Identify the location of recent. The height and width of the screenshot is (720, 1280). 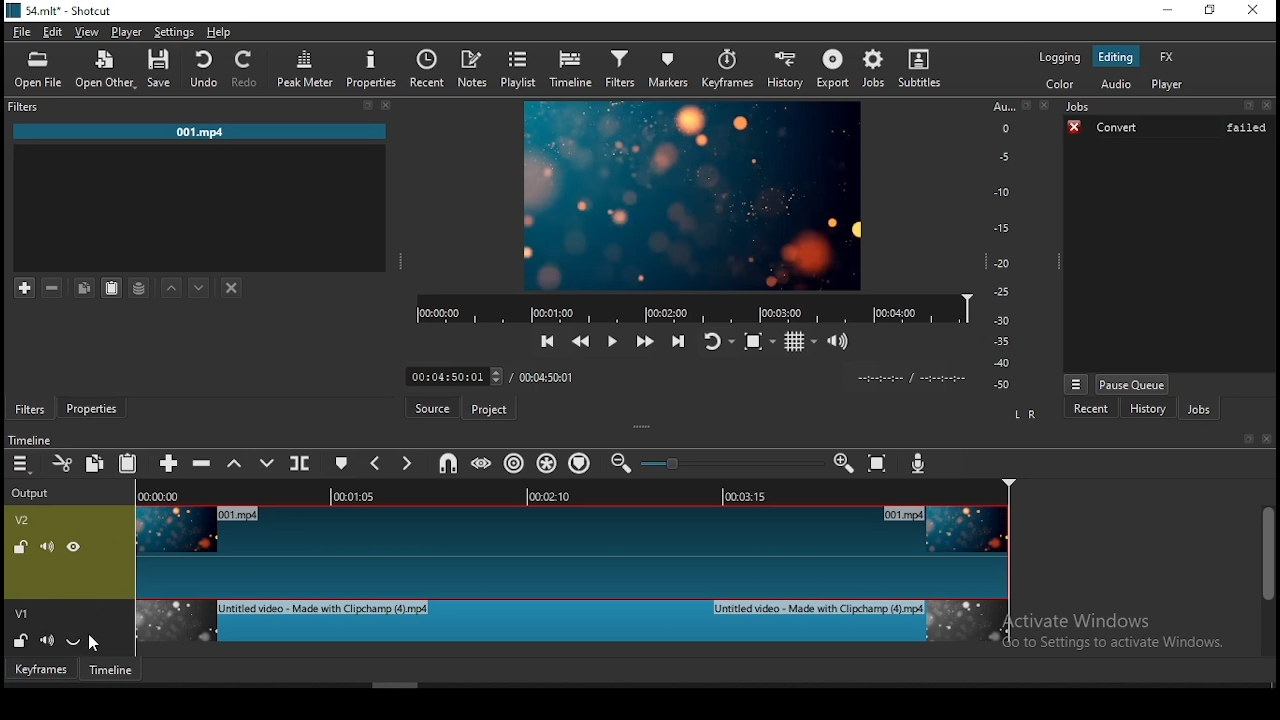
(1092, 409).